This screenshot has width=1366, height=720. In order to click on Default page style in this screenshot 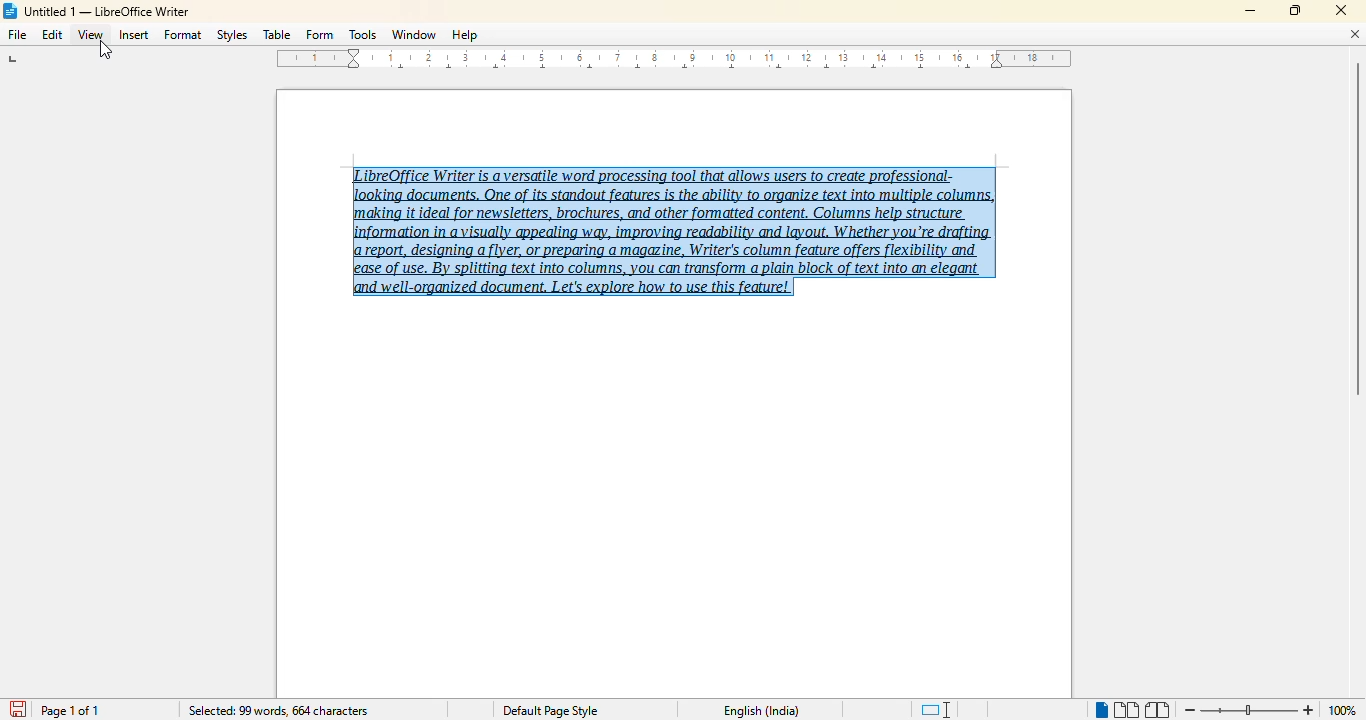, I will do `click(550, 710)`.